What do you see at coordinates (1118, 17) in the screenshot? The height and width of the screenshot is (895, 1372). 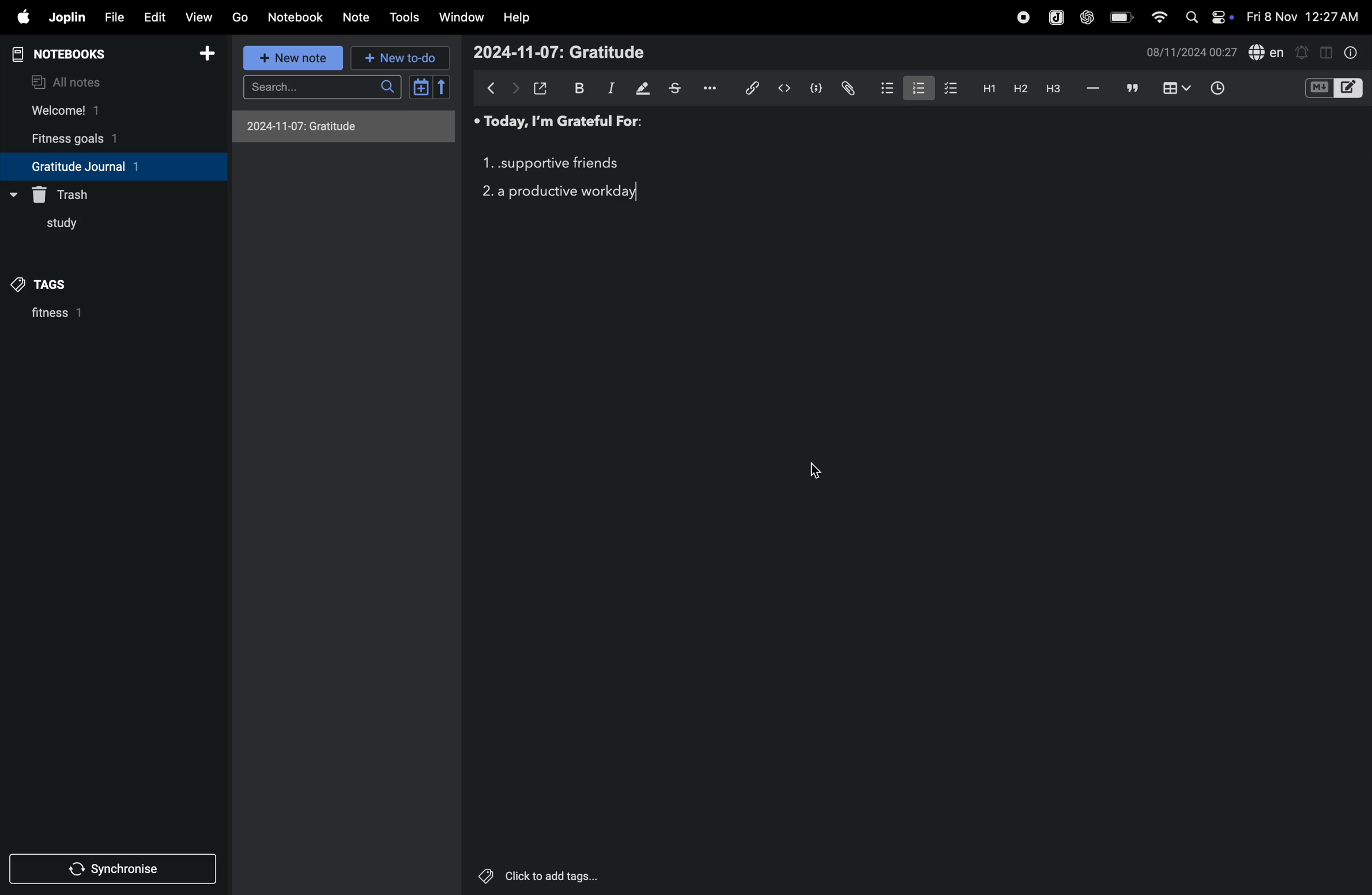 I see `battery` at bounding box center [1118, 17].